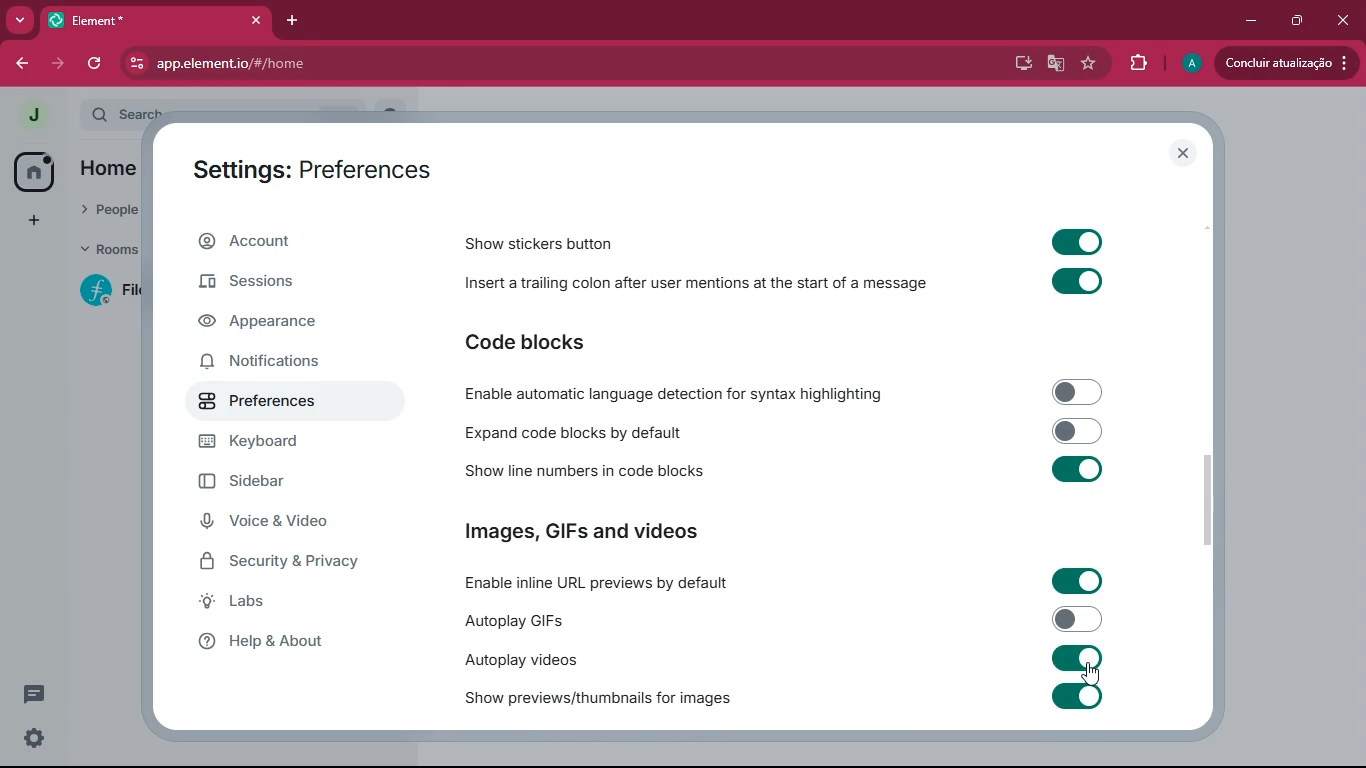 The image size is (1366, 768). What do you see at coordinates (1190, 64) in the screenshot?
I see `profile picture` at bounding box center [1190, 64].